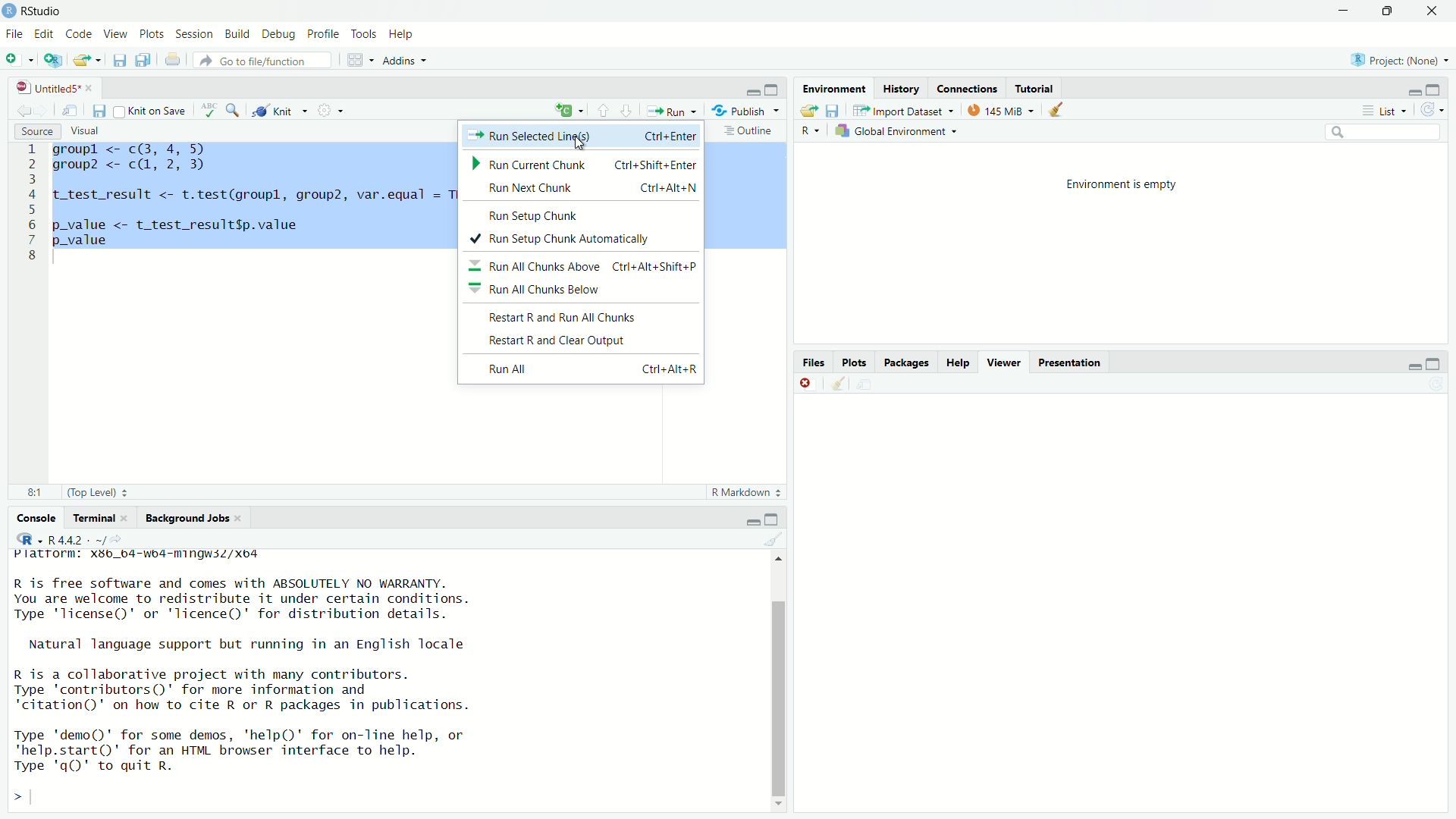 The image size is (1456, 819). What do you see at coordinates (563, 240) in the screenshot?
I see `Run Setup Chunk Automatically` at bounding box center [563, 240].